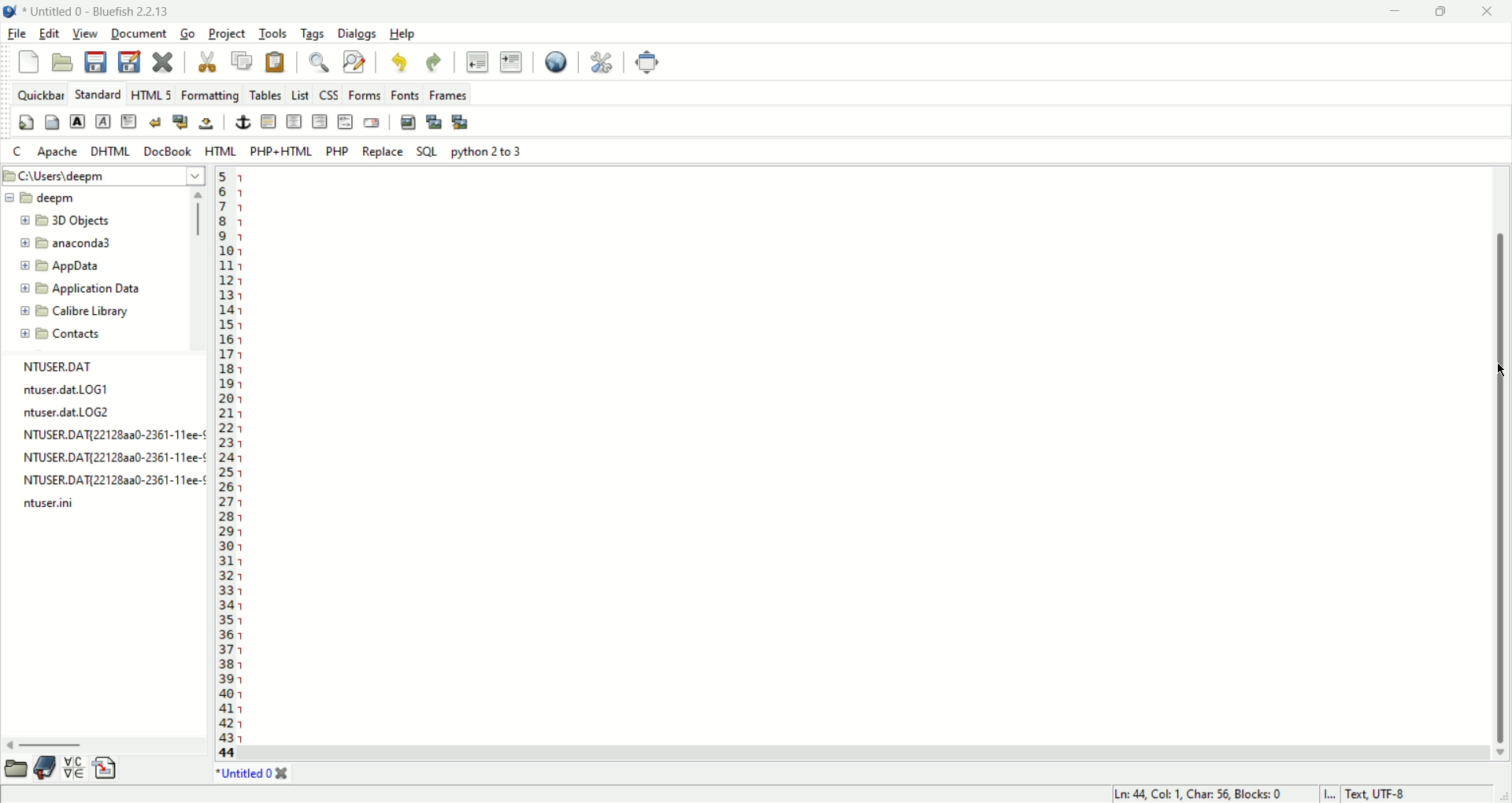 This screenshot has height=803, width=1512. What do you see at coordinates (1488, 10) in the screenshot?
I see `close` at bounding box center [1488, 10].